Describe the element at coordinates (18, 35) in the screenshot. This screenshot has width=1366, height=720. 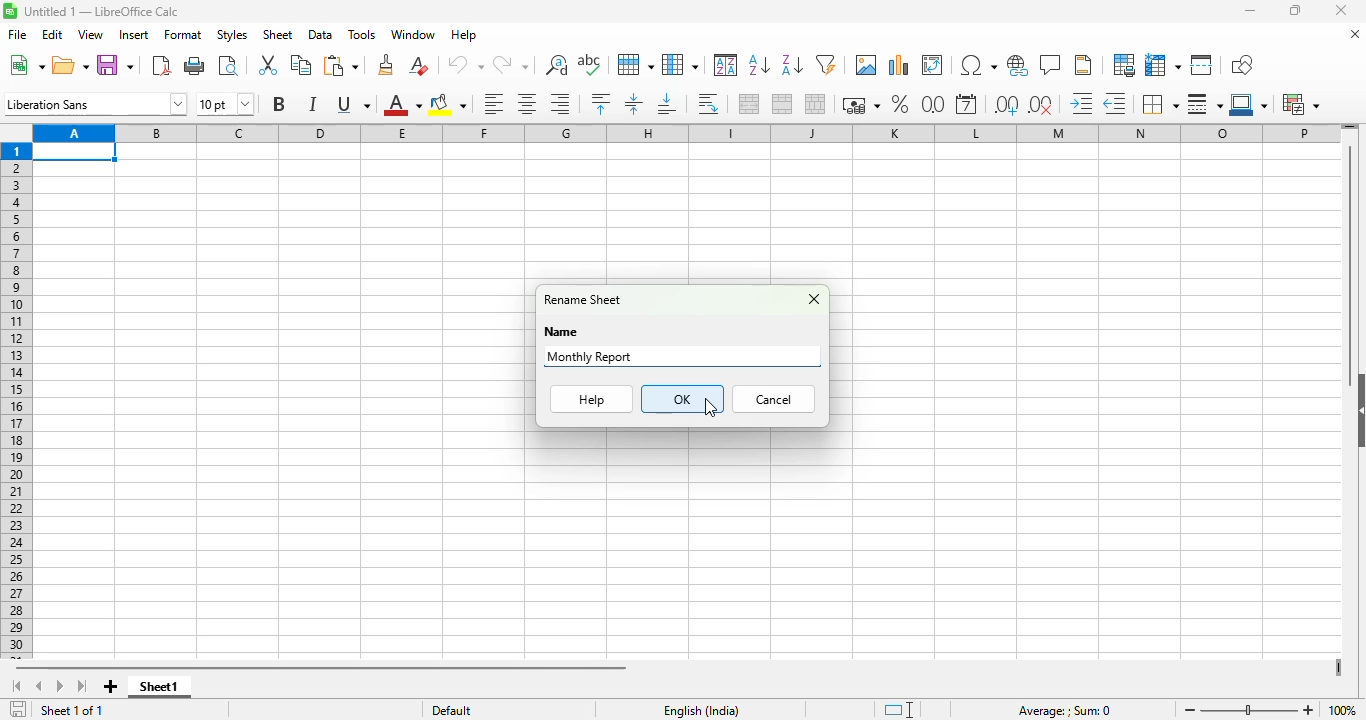
I see `file` at that location.